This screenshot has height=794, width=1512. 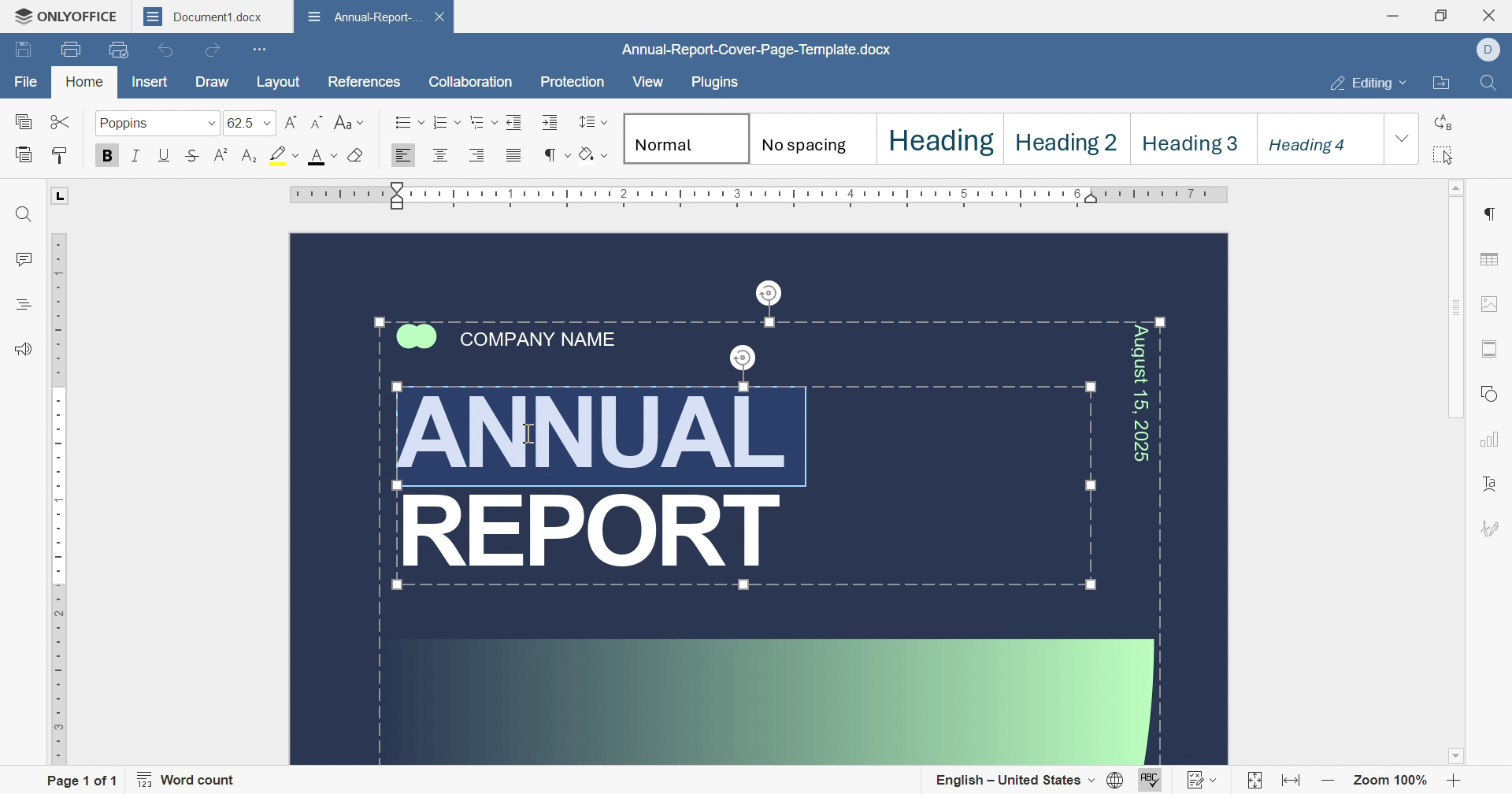 I want to click on open file location, so click(x=1440, y=84).